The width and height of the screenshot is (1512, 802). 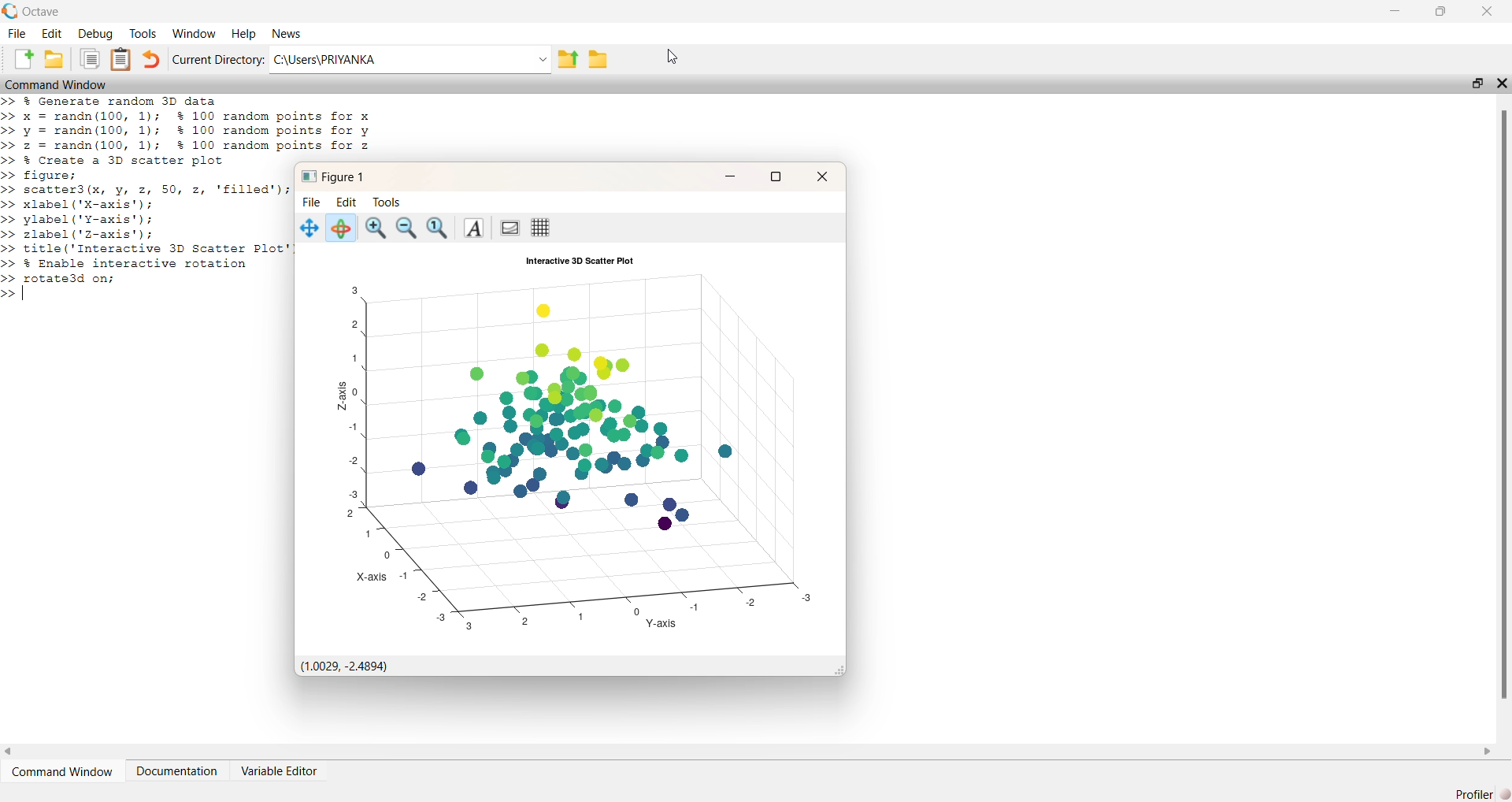 I want to click on folder, so click(x=53, y=58).